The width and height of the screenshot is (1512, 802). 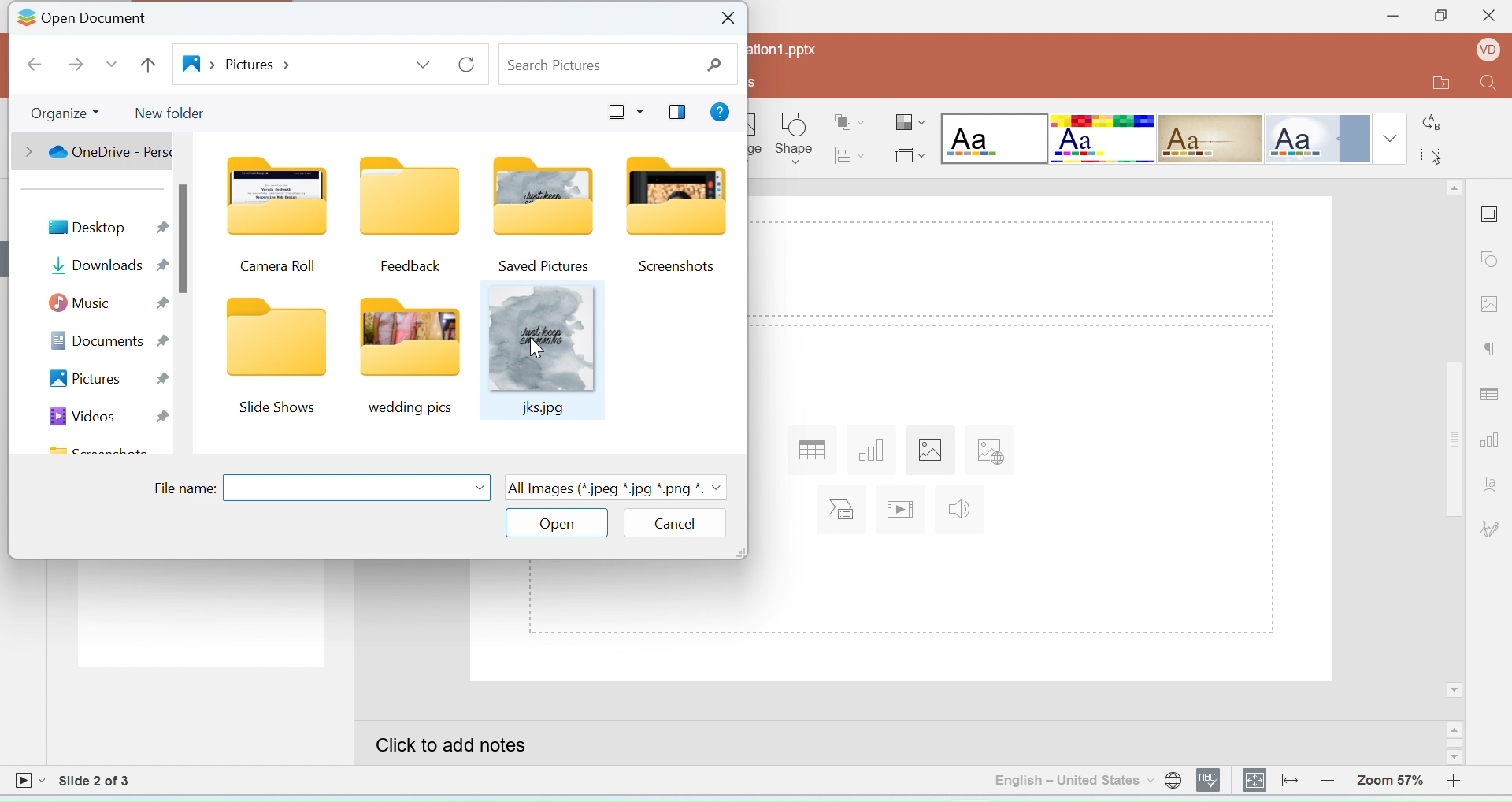 What do you see at coordinates (36, 65) in the screenshot?
I see `back` at bounding box center [36, 65].